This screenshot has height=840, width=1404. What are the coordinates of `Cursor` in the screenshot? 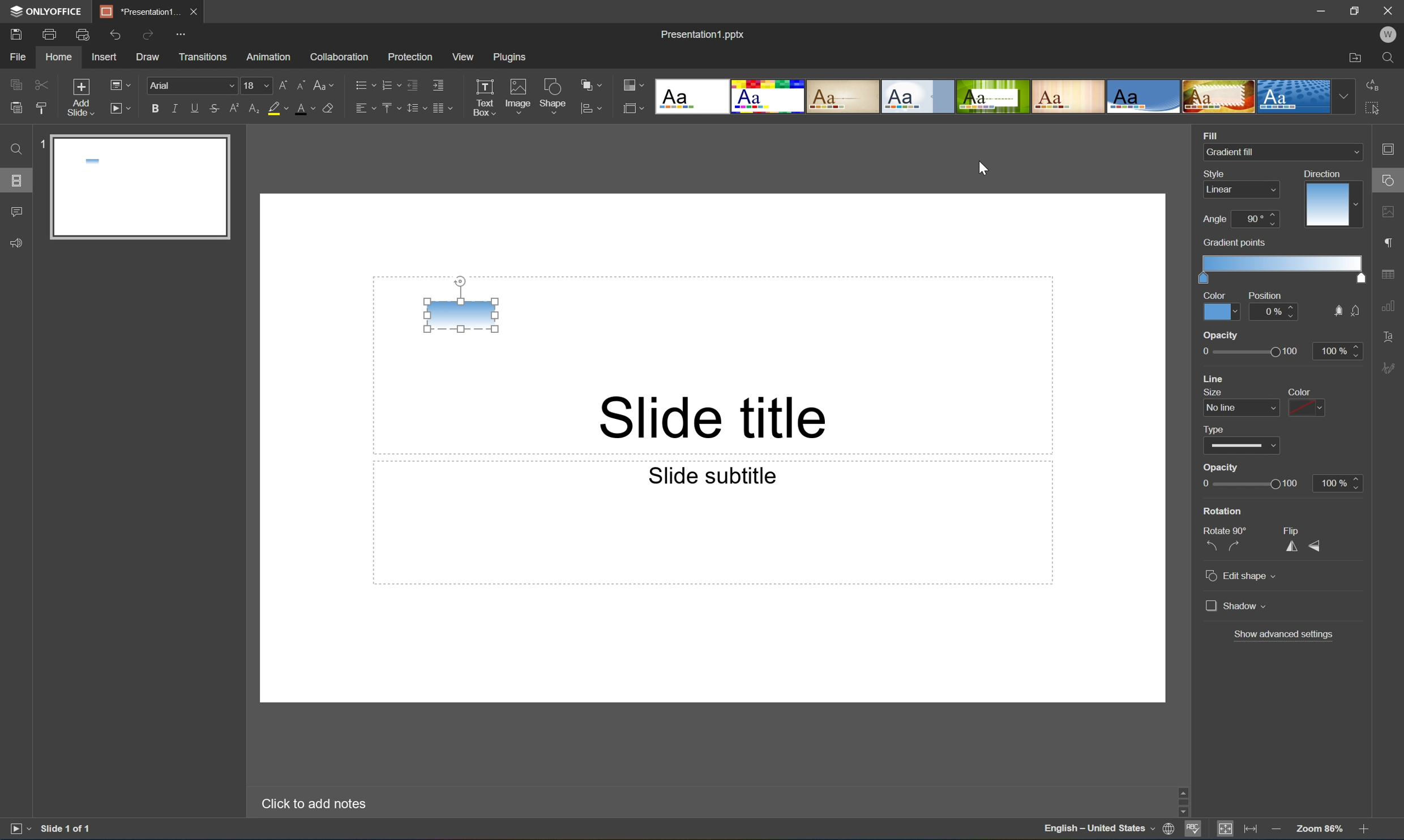 It's located at (986, 167).